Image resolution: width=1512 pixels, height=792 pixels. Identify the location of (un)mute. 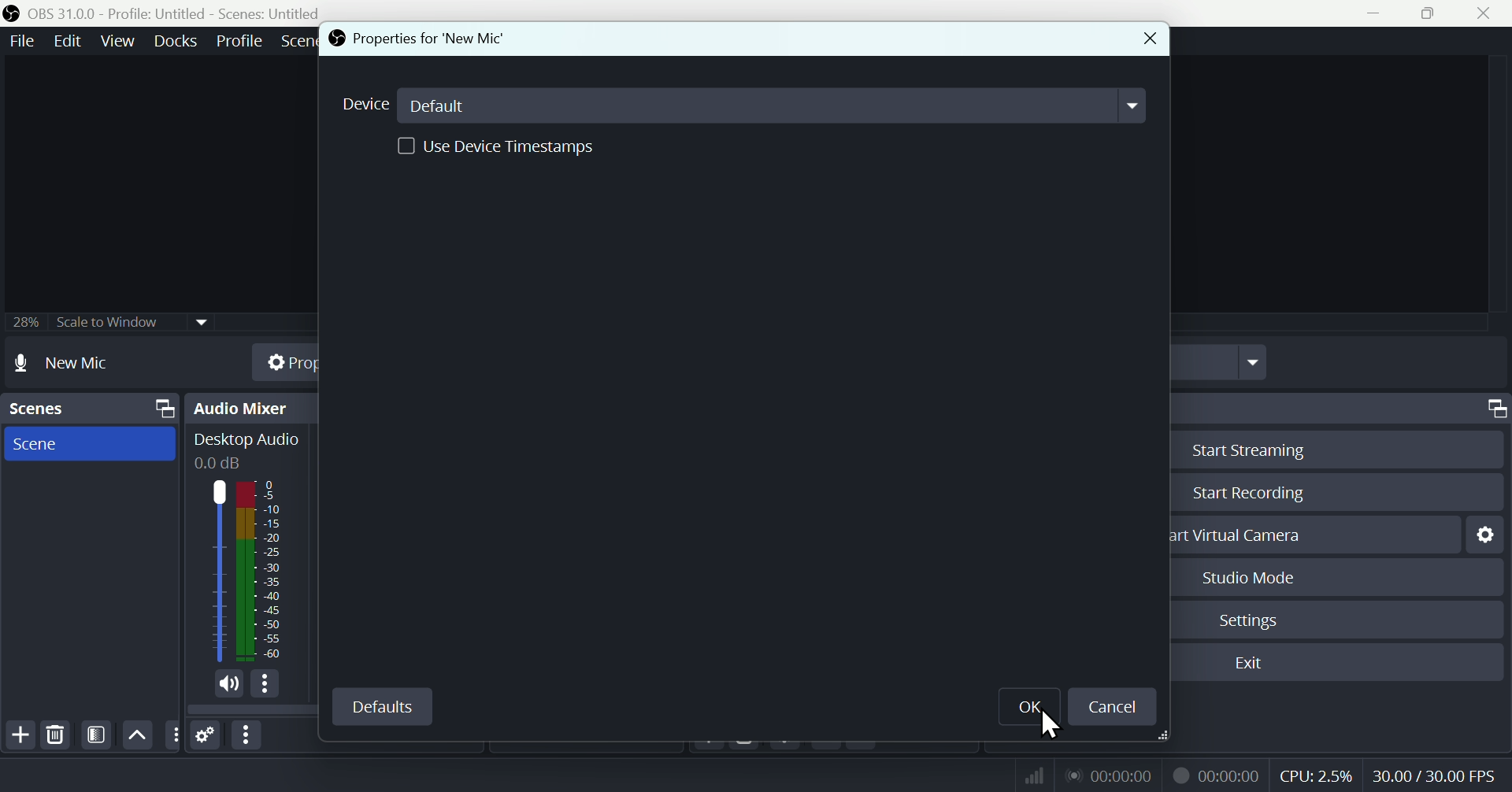
(229, 686).